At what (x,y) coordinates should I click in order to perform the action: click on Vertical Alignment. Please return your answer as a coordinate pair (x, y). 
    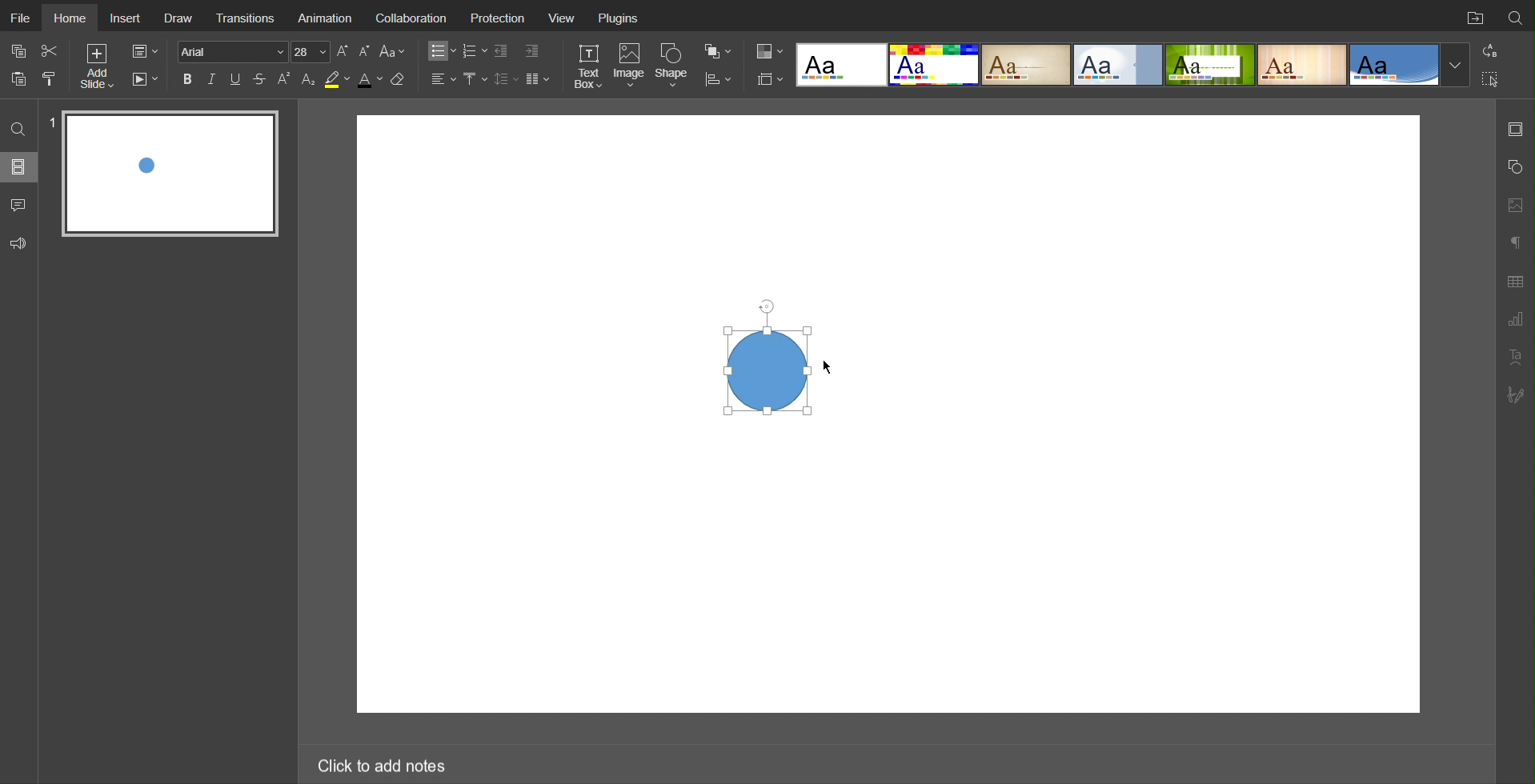
    Looking at the image, I should click on (475, 79).